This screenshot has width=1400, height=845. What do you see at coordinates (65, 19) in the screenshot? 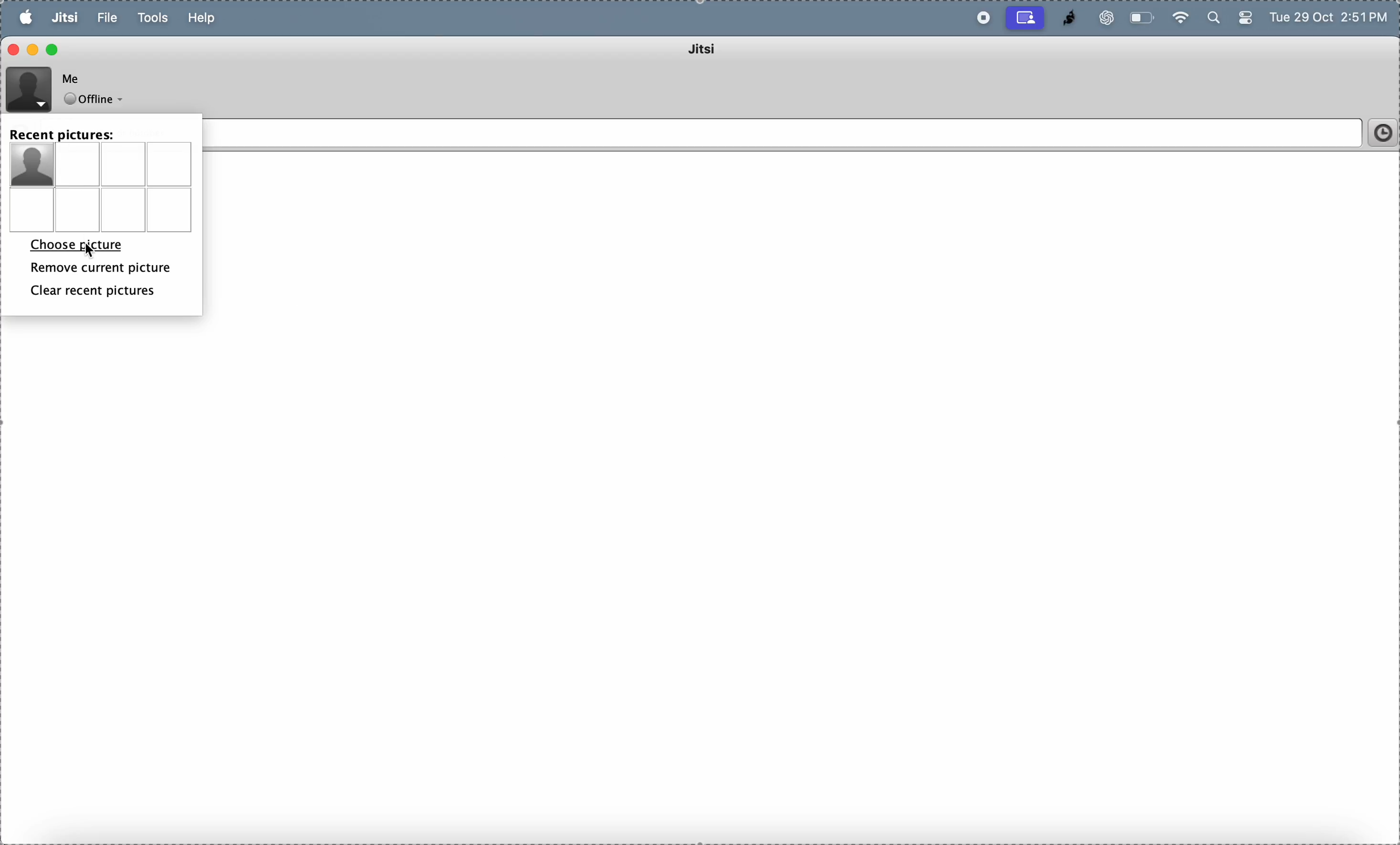
I see `jitsi menu` at bounding box center [65, 19].